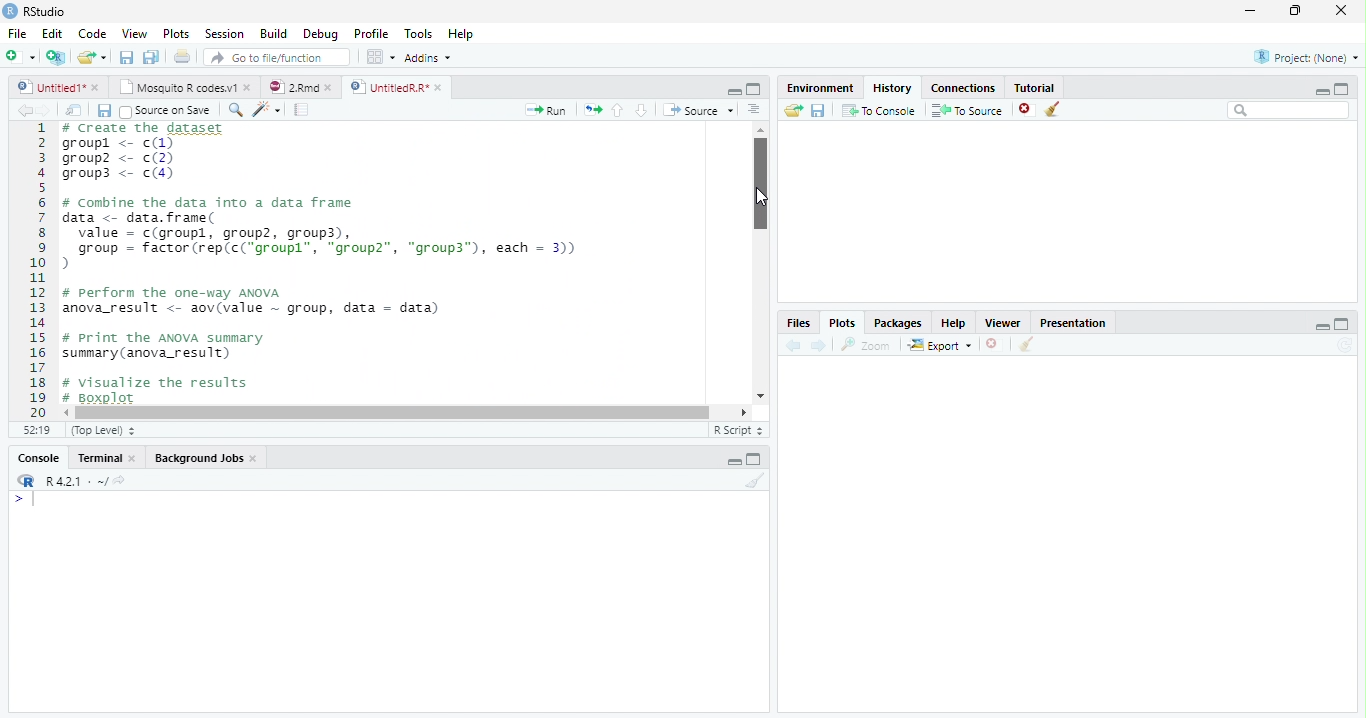  What do you see at coordinates (52, 111) in the screenshot?
I see `Next` at bounding box center [52, 111].